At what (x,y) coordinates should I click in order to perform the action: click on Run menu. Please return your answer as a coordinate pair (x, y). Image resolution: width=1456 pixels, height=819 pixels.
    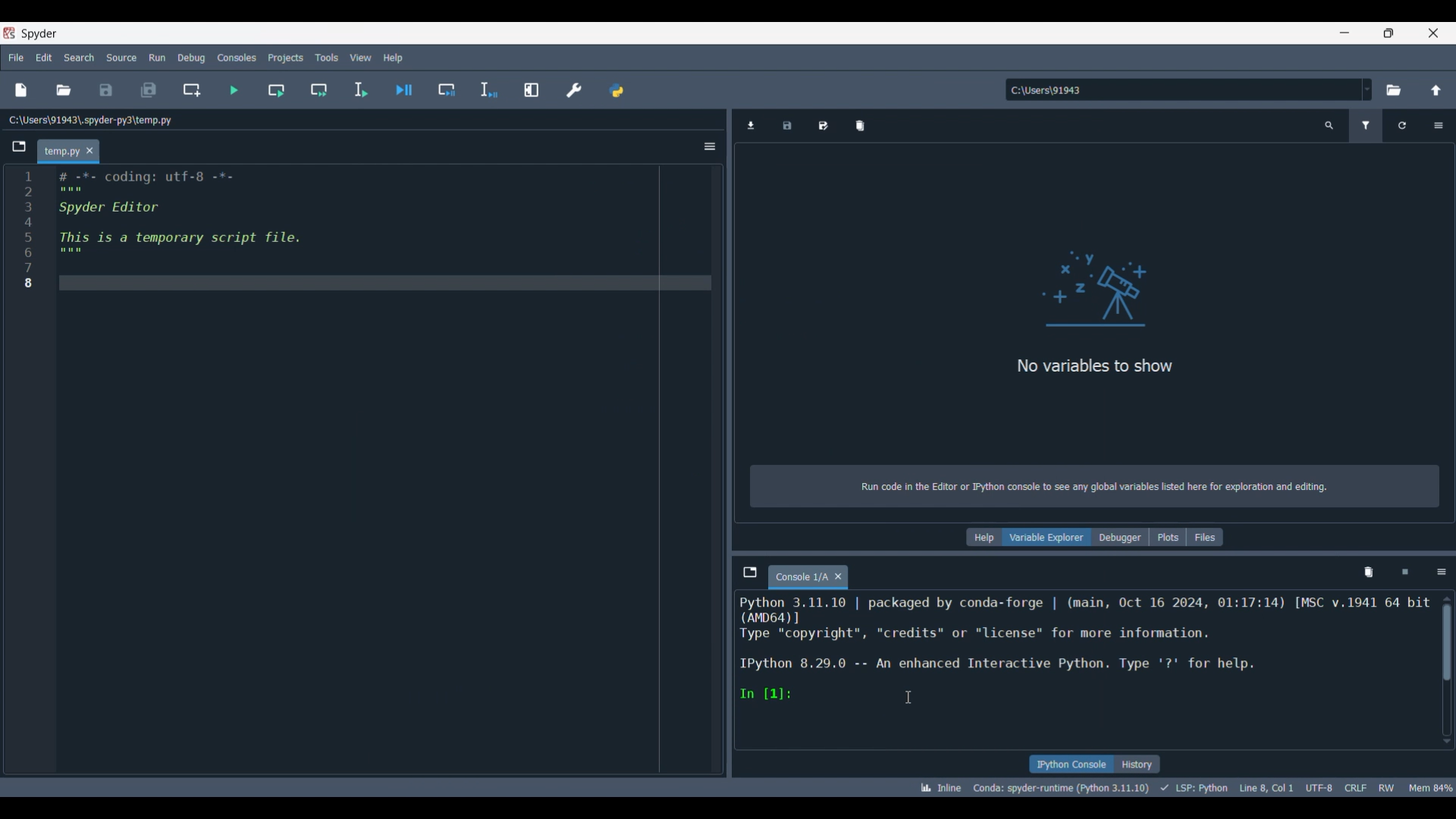
    Looking at the image, I should click on (157, 57).